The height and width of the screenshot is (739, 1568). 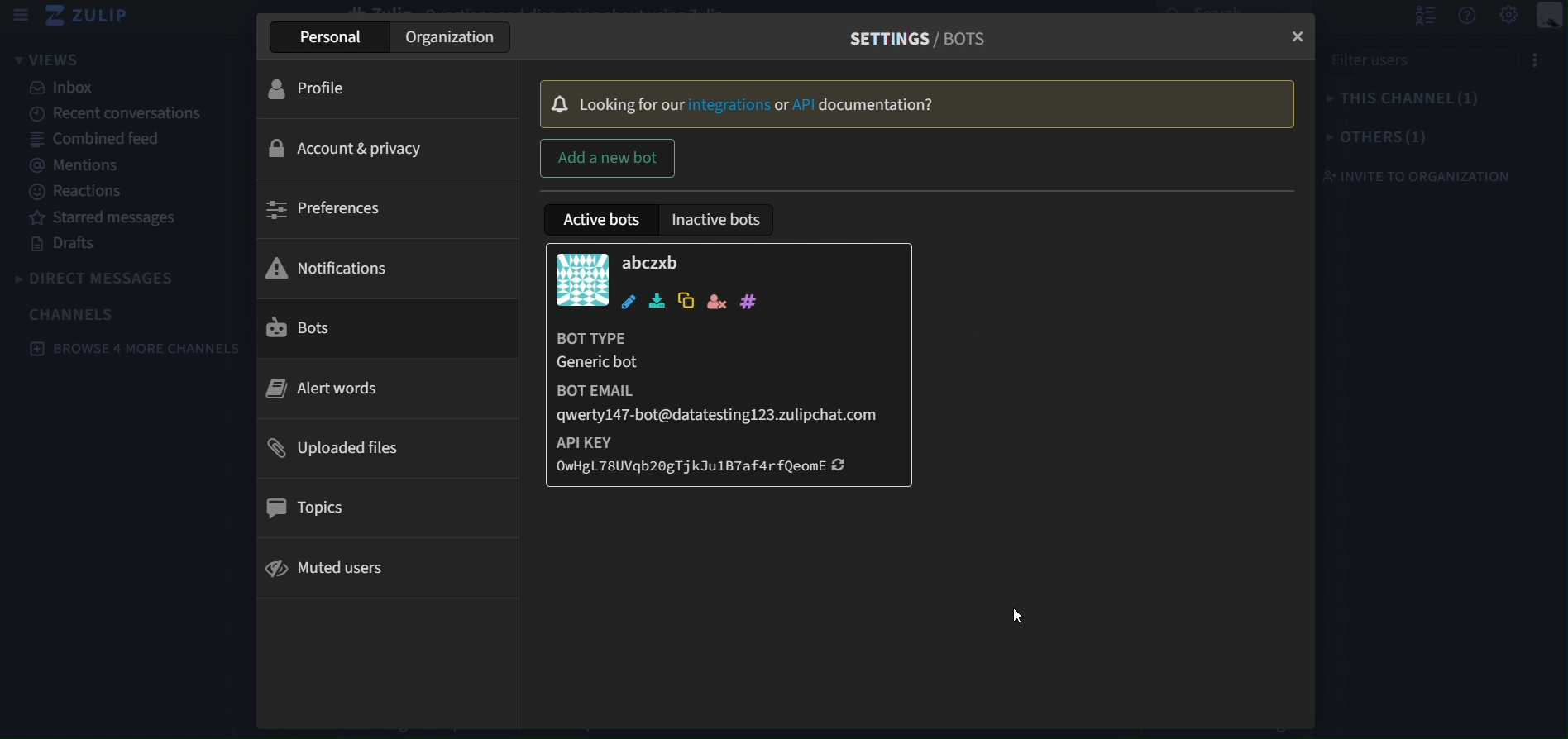 What do you see at coordinates (138, 348) in the screenshot?
I see `browse 4 more channels` at bounding box center [138, 348].